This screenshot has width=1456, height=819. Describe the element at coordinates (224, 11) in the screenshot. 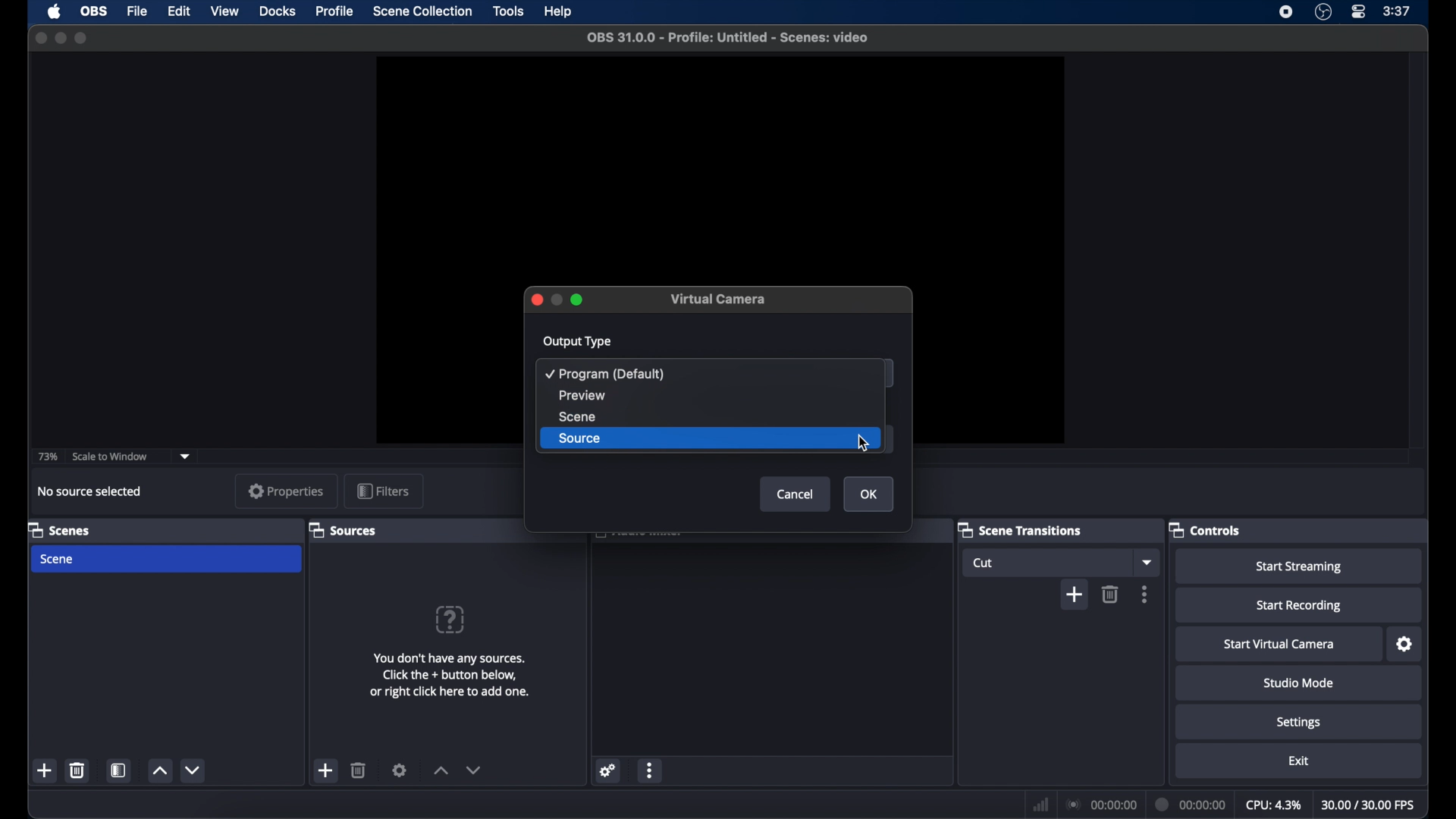

I see `view` at that location.